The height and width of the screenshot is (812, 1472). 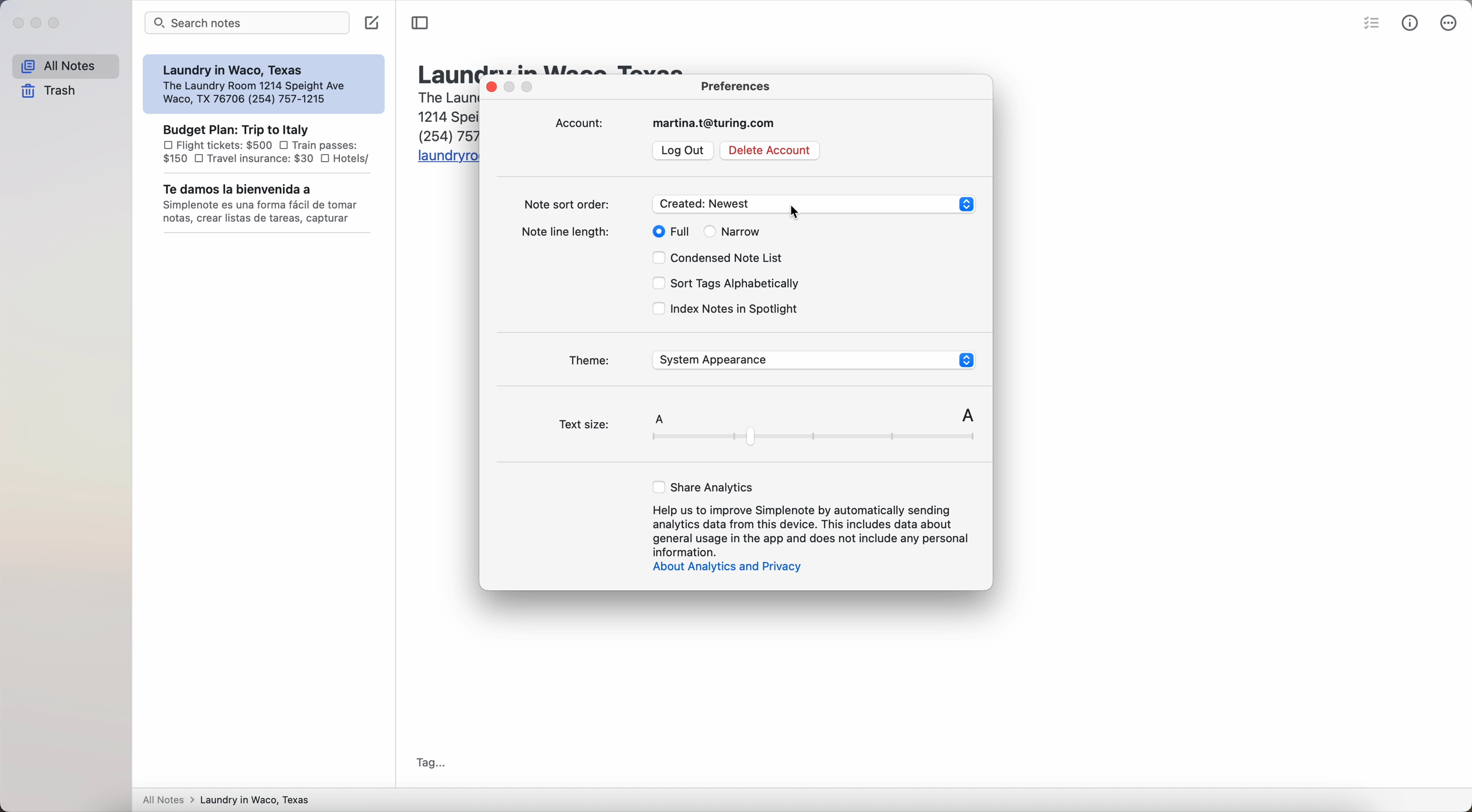 I want to click on delete account, so click(x=771, y=151).